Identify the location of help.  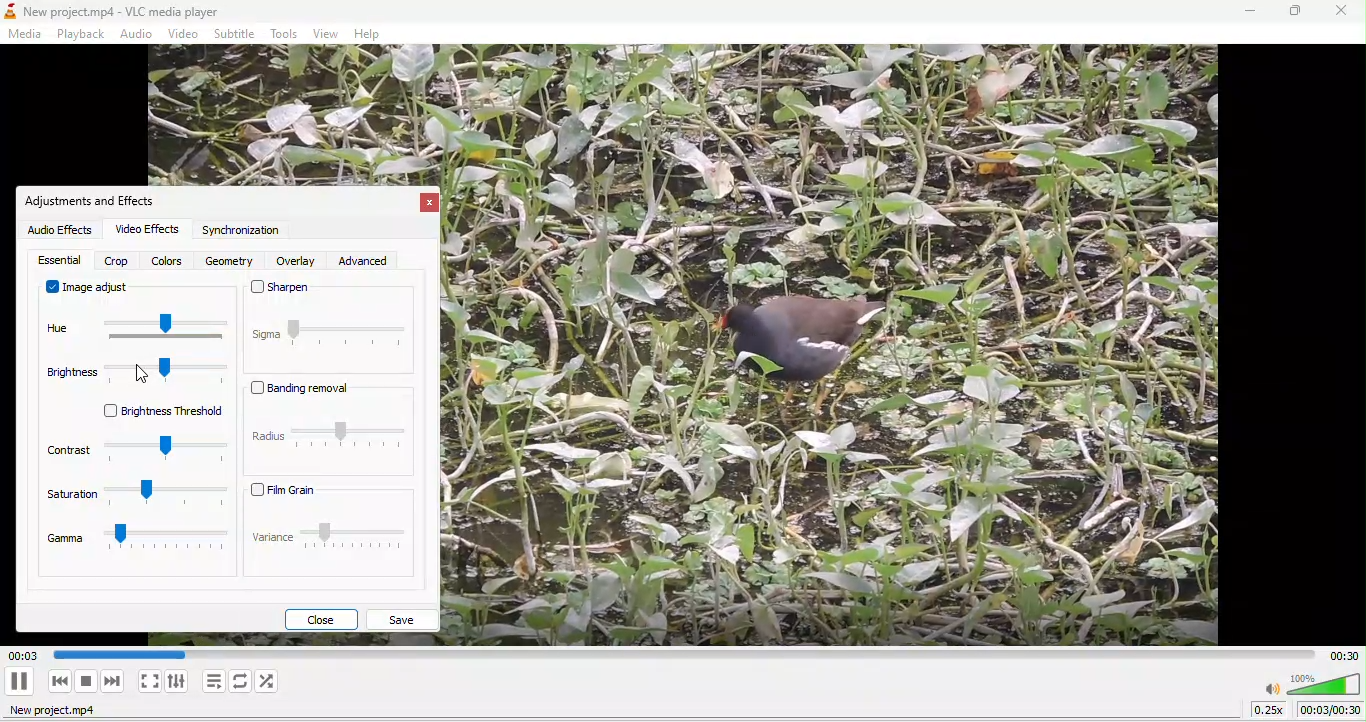
(373, 35).